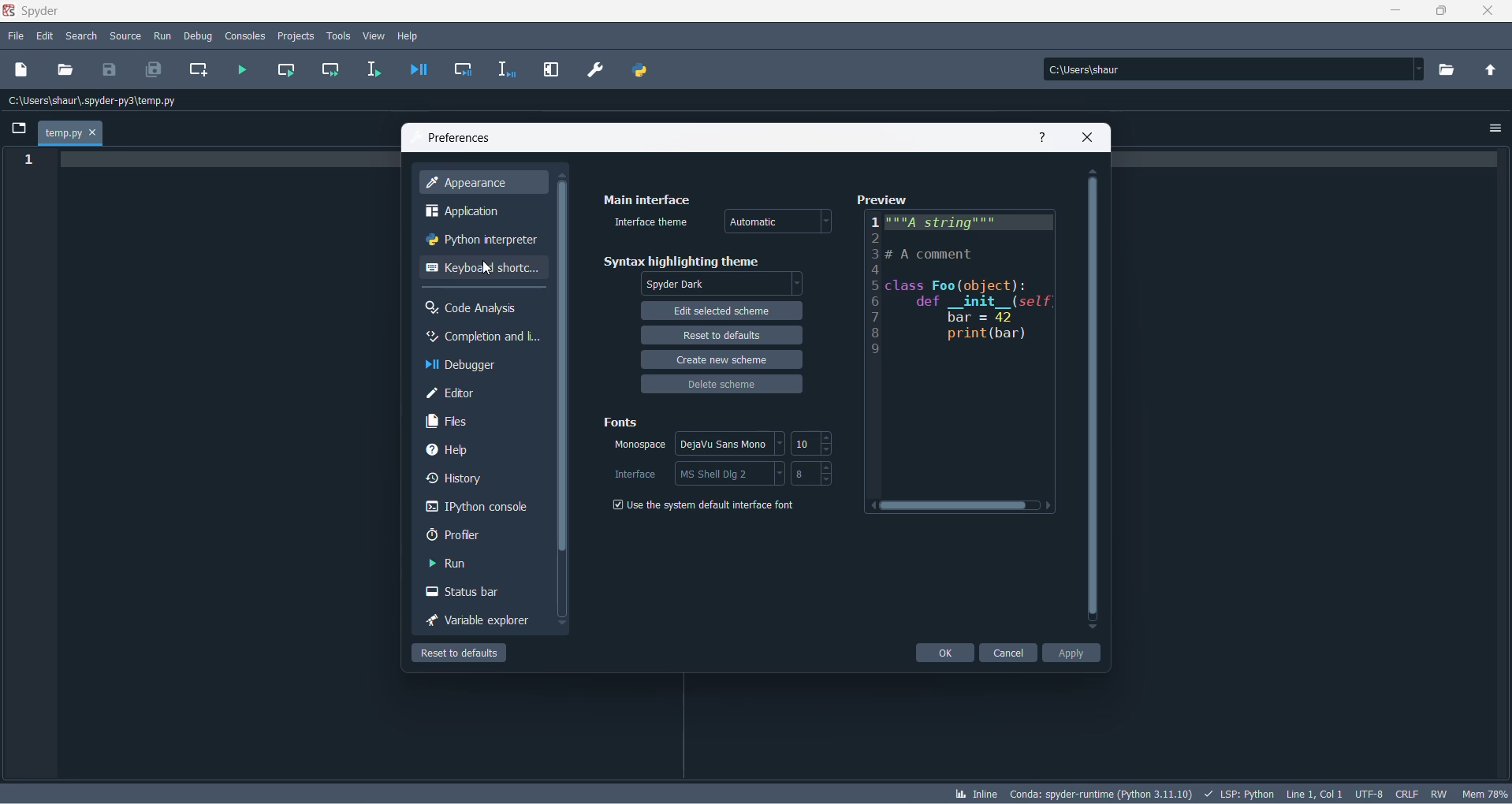 The width and height of the screenshot is (1512, 804). I want to click on path, so click(1230, 69).